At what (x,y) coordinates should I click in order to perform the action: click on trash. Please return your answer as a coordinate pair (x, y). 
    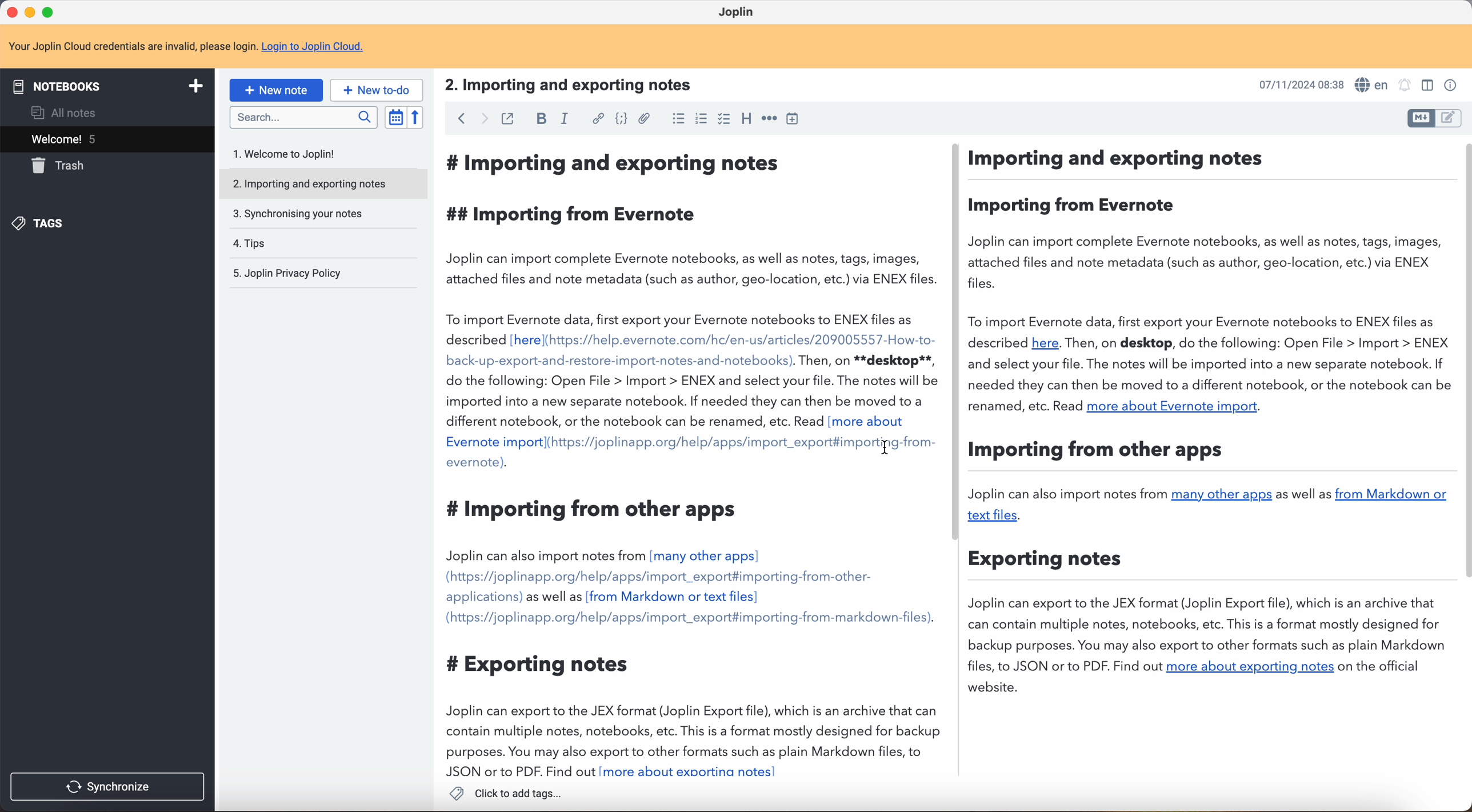
    Looking at the image, I should click on (62, 166).